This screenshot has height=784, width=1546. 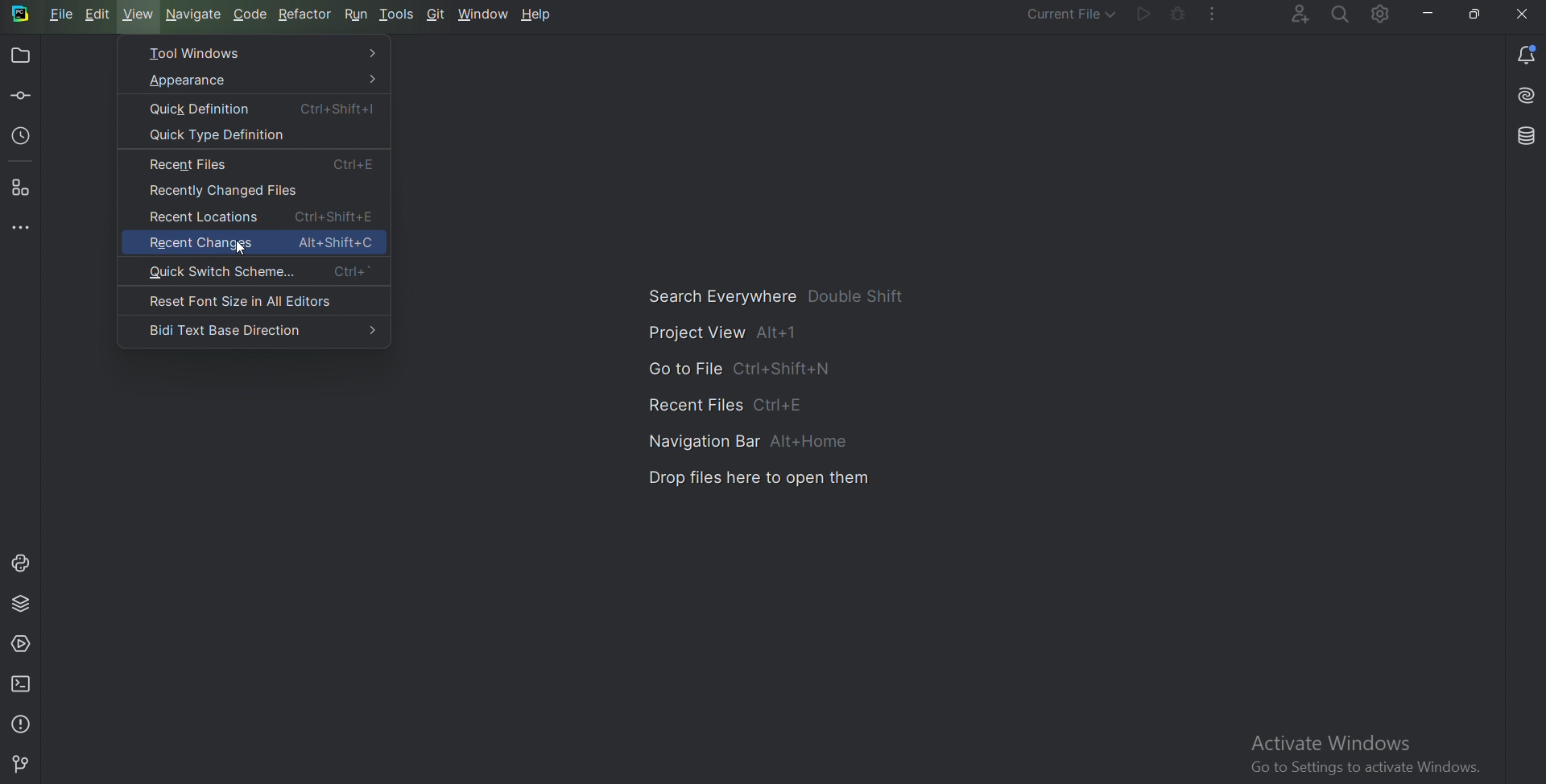 I want to click on window, so click(x=482, y=14).